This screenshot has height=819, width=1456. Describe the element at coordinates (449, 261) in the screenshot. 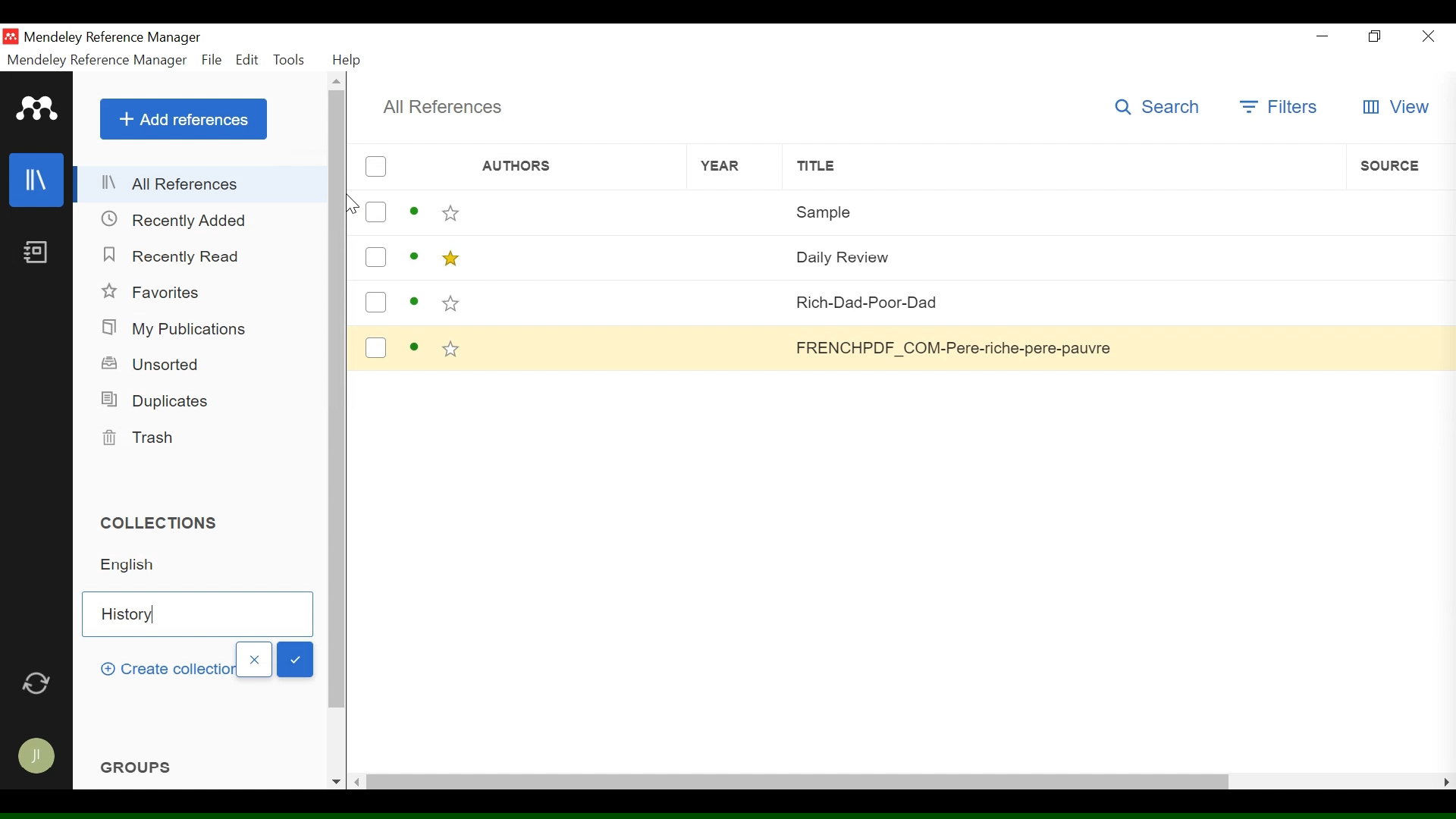

I see `Toggle favorites` at that location.